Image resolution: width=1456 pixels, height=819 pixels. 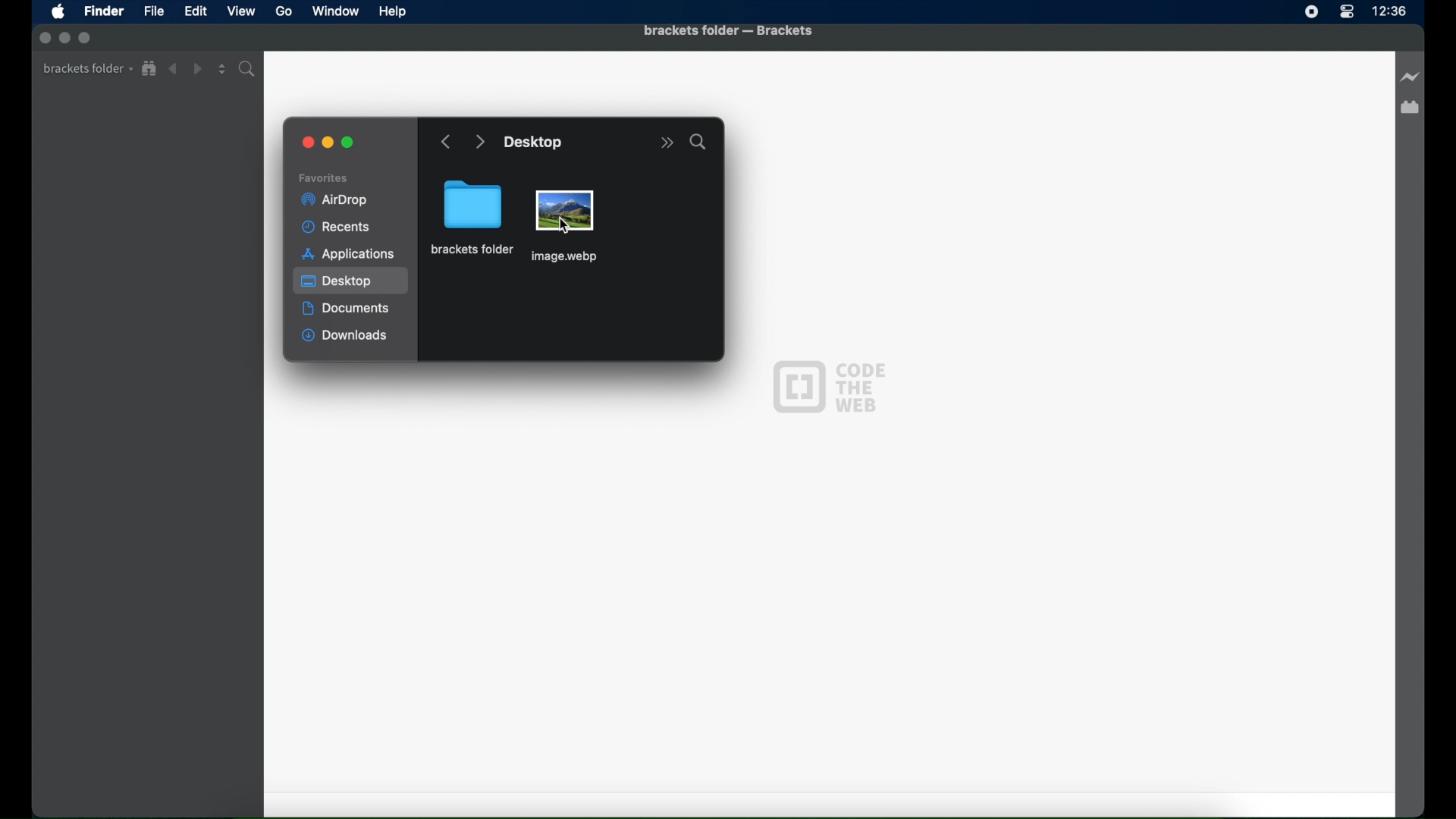 What do you see at coordinates (328, 143) in the screenshot?
I see `minimize` at bounding box center [328, 143].